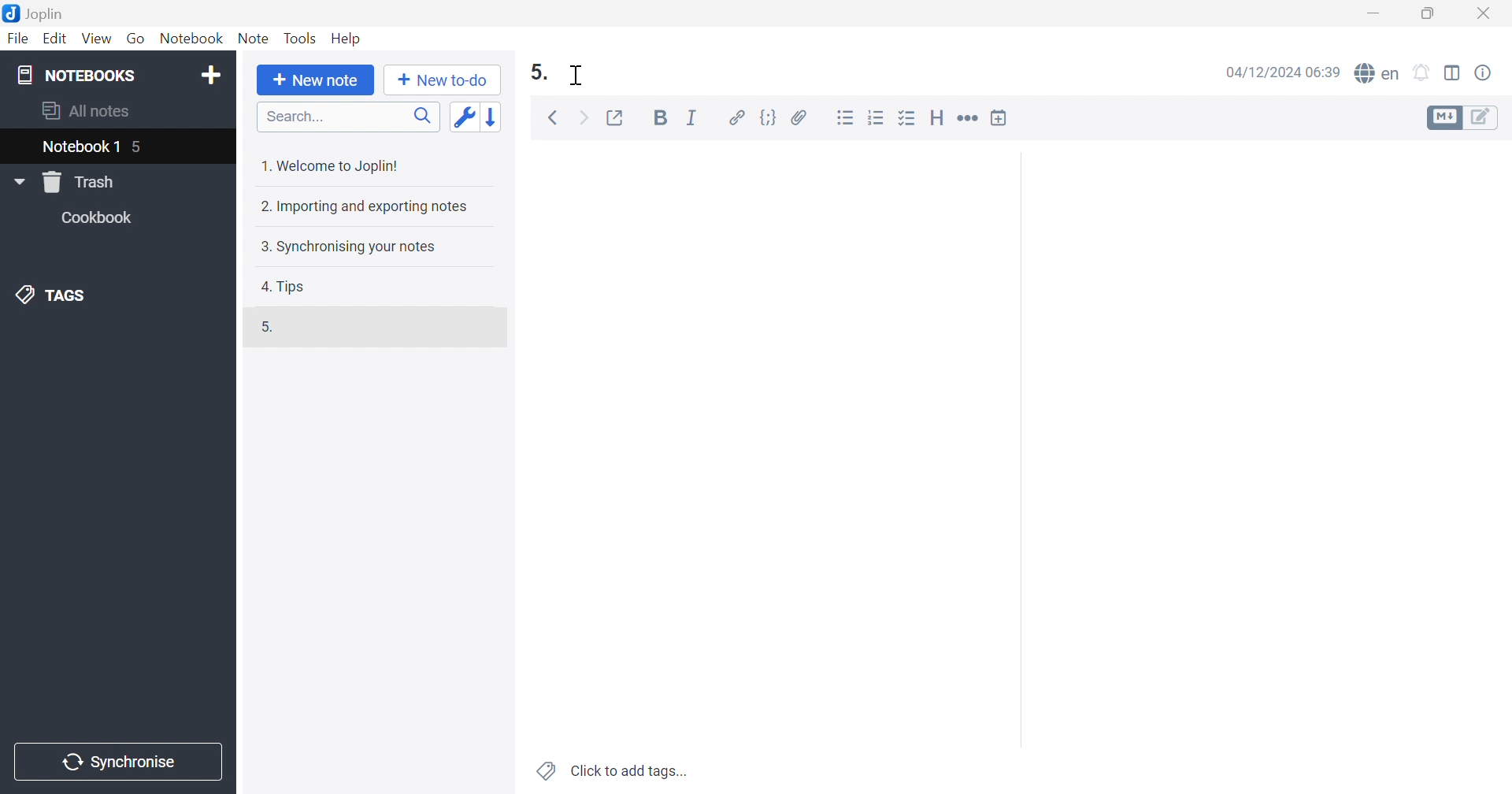 Image resolution: width=1512 pixels, height=794 pixels. Describe the element at coordinates (348, 39) in the screenshot. I see `Help` at that location.